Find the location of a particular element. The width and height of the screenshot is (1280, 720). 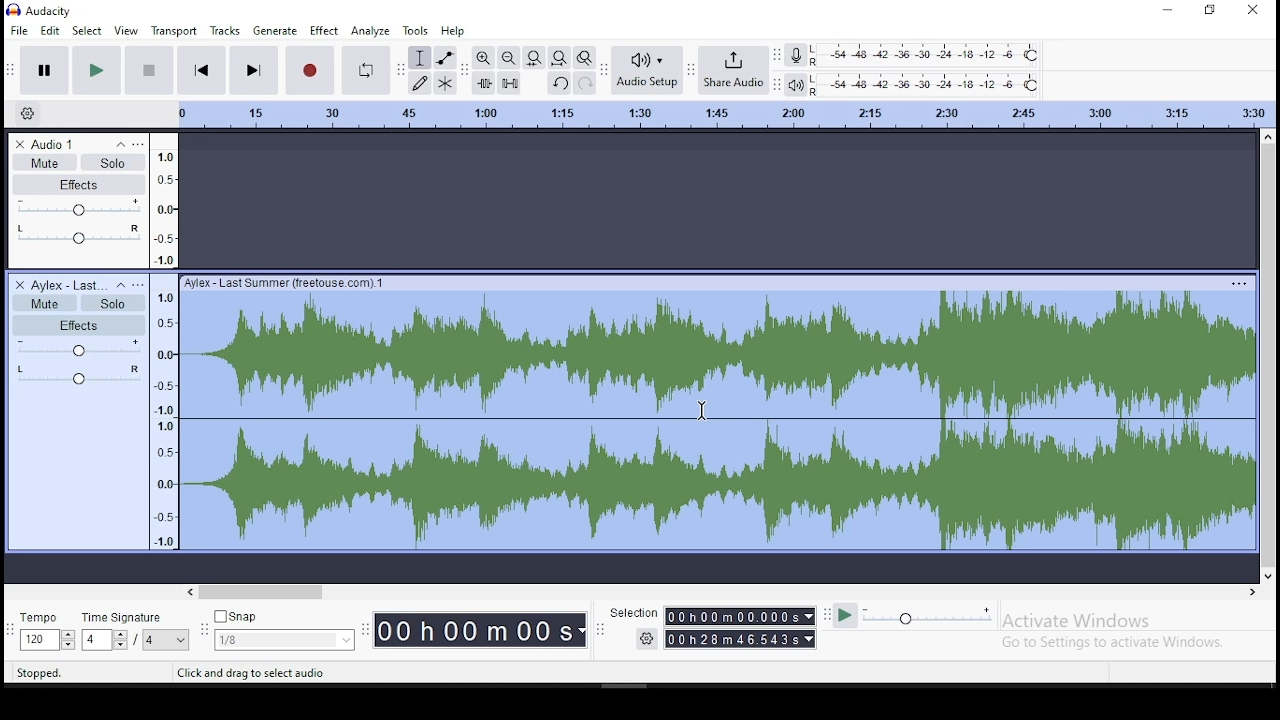

zoom toggle is located at coordinates (585, 58).